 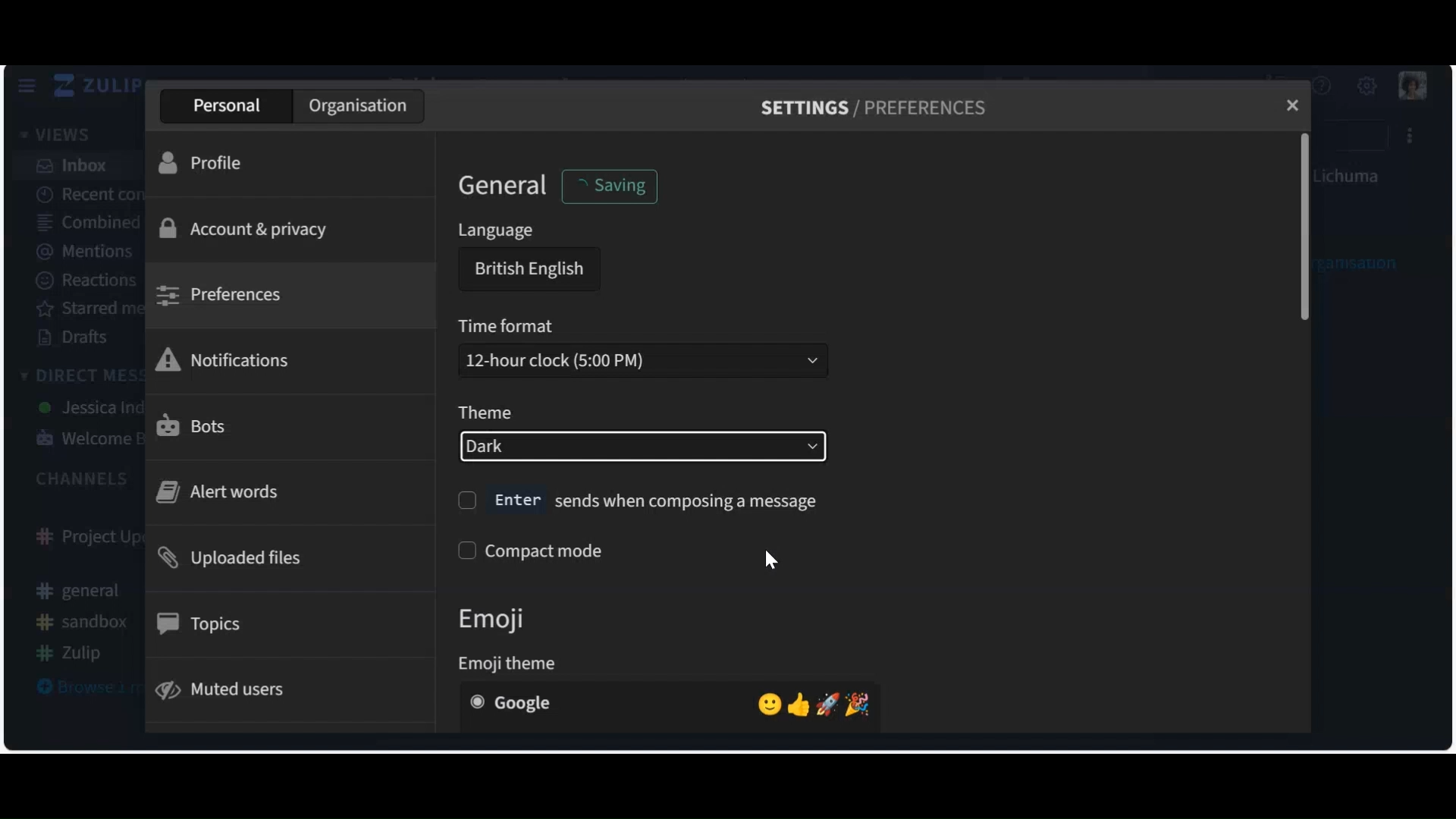 What do you see at coordinates (228, 359) in the screenshot?
I see `Notifications` at bounding box center [228, 359].